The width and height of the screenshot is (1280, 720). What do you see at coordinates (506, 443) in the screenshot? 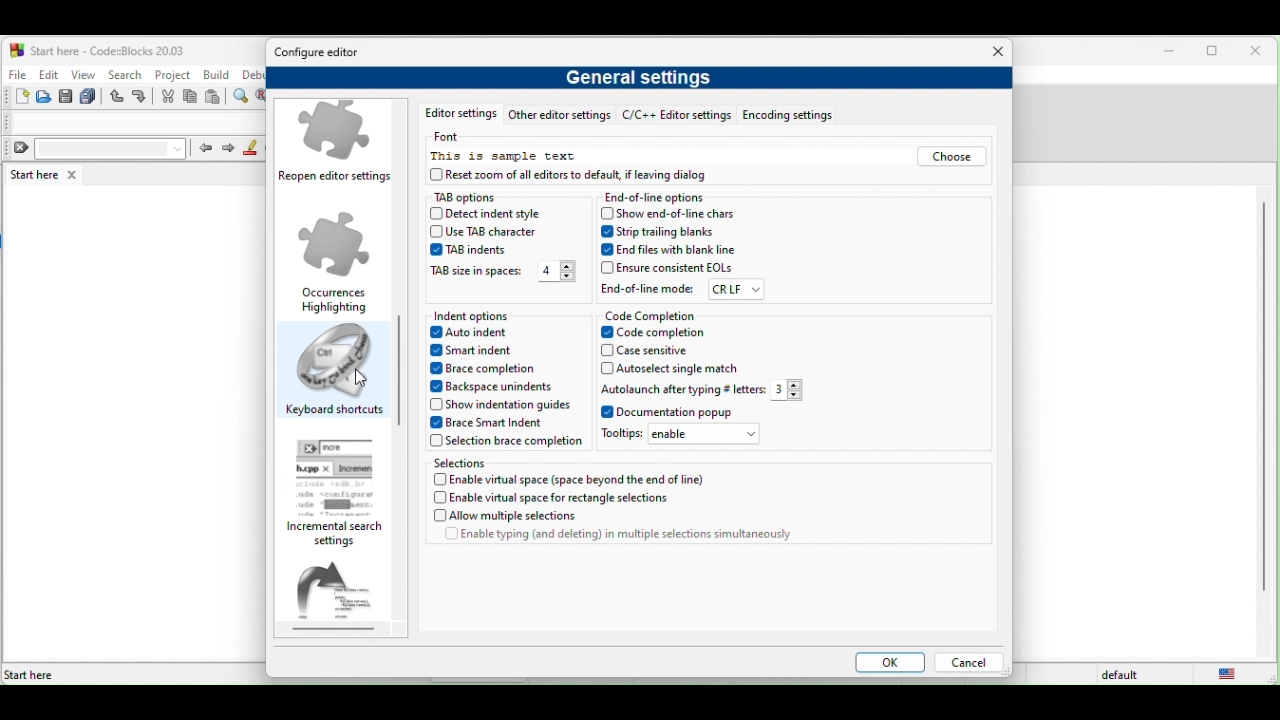
I see `selection brace completion` at bounding box center [506, 443].